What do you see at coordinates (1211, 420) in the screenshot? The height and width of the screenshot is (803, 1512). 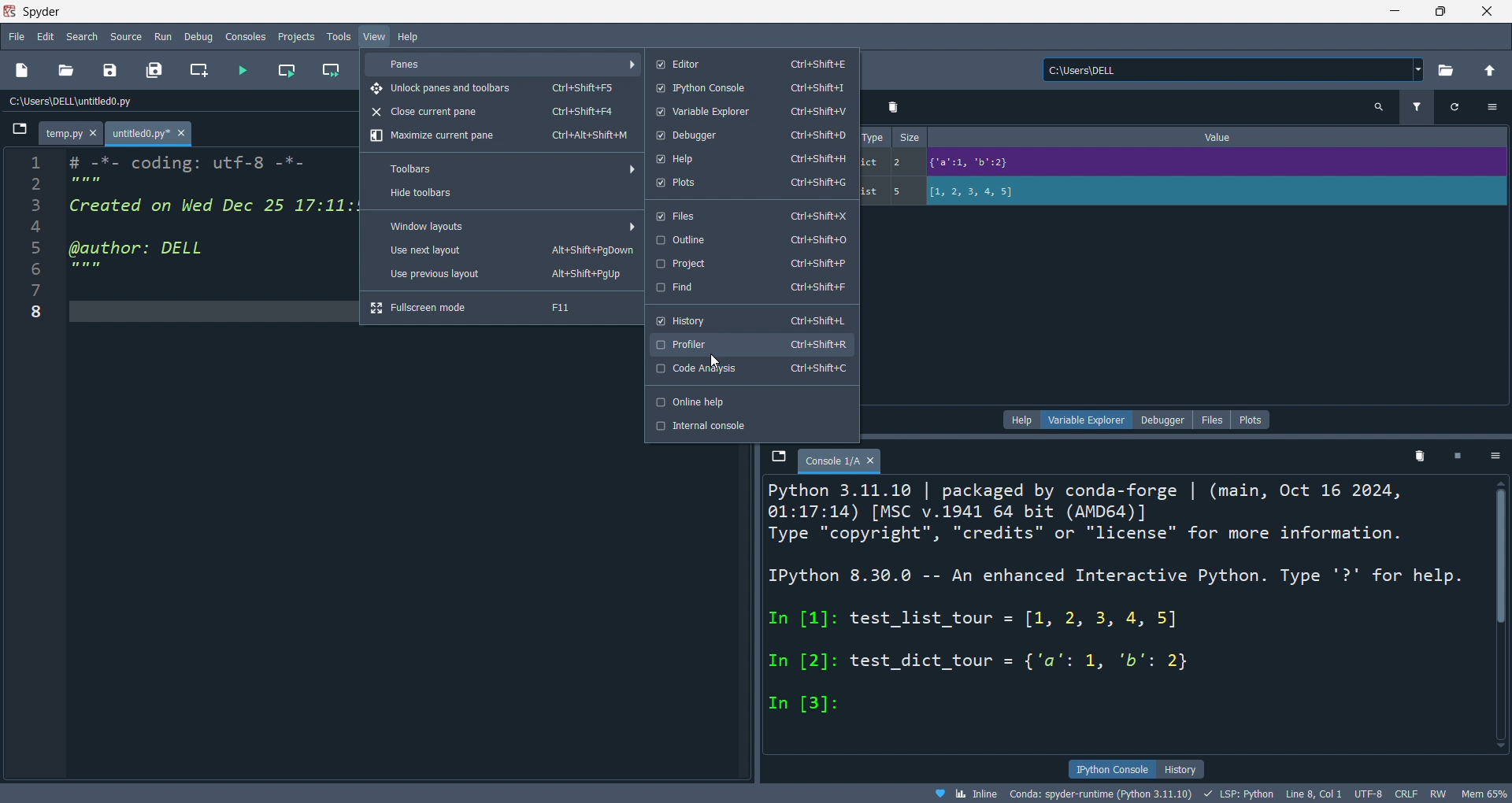 I see `files` at bounding box center [1211, 420].